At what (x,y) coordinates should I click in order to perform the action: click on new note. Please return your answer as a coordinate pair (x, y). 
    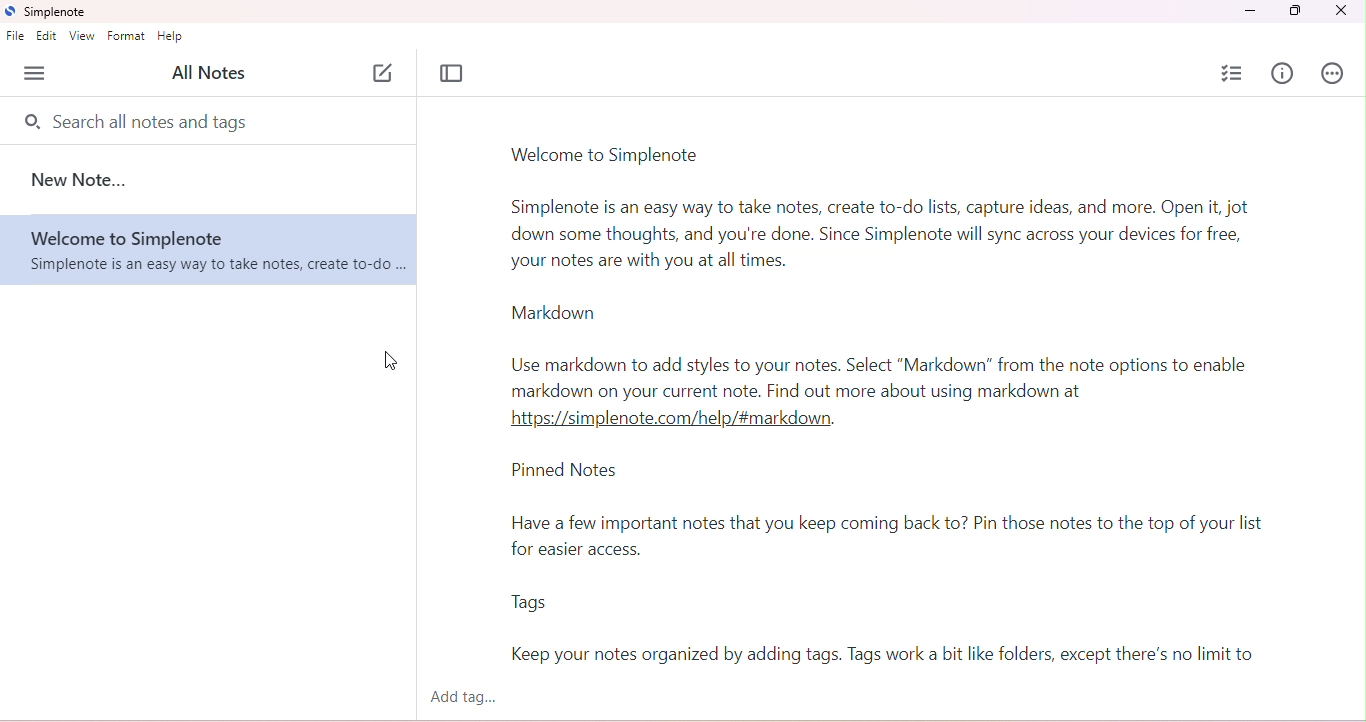
    Looking at the image, I should click on (82, 179).